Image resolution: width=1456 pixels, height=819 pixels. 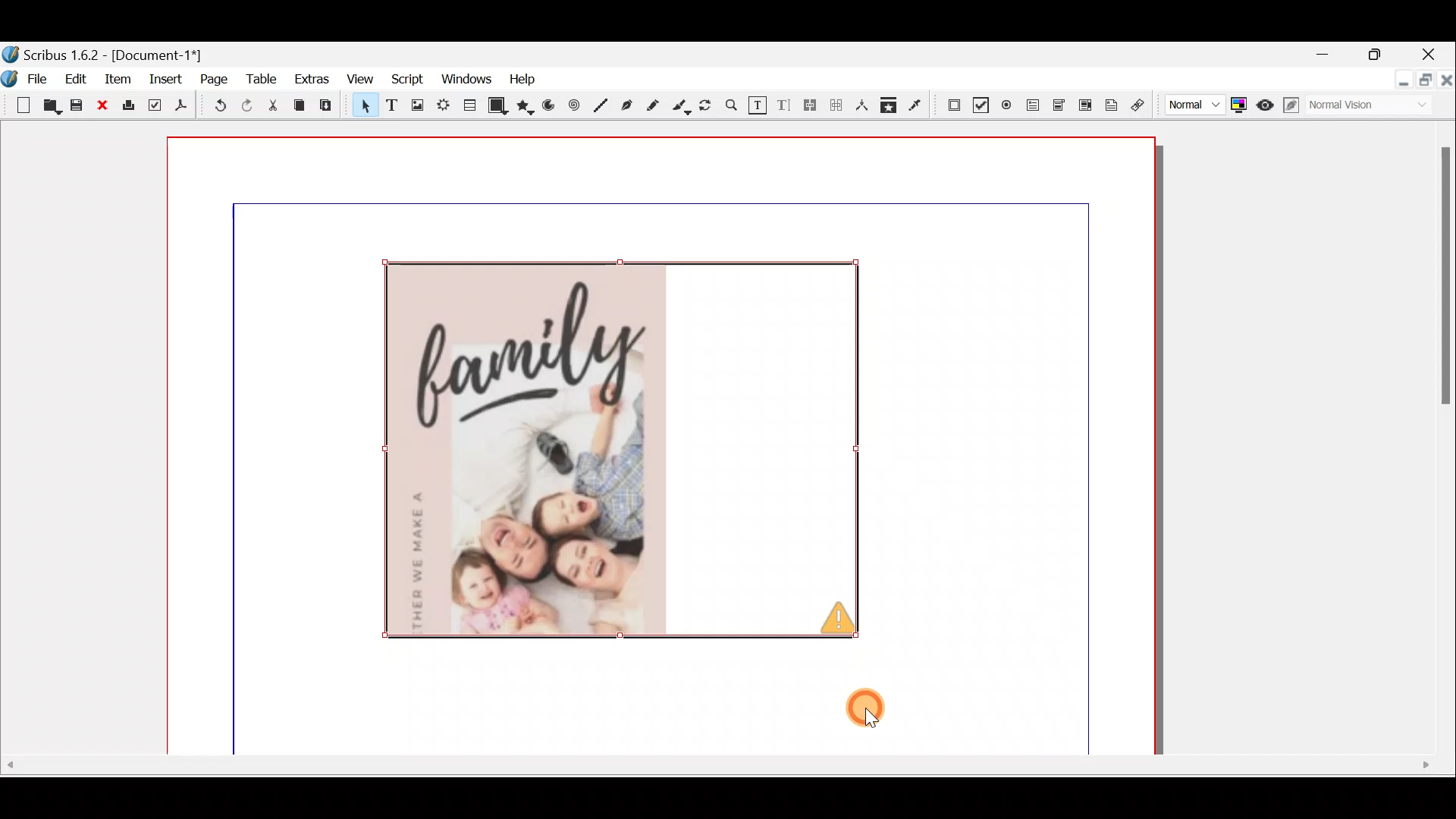 What do you see at coordinates (1031, 105) in the screenshot?
I see `PDF text field` at bounding box center [1031, 105].